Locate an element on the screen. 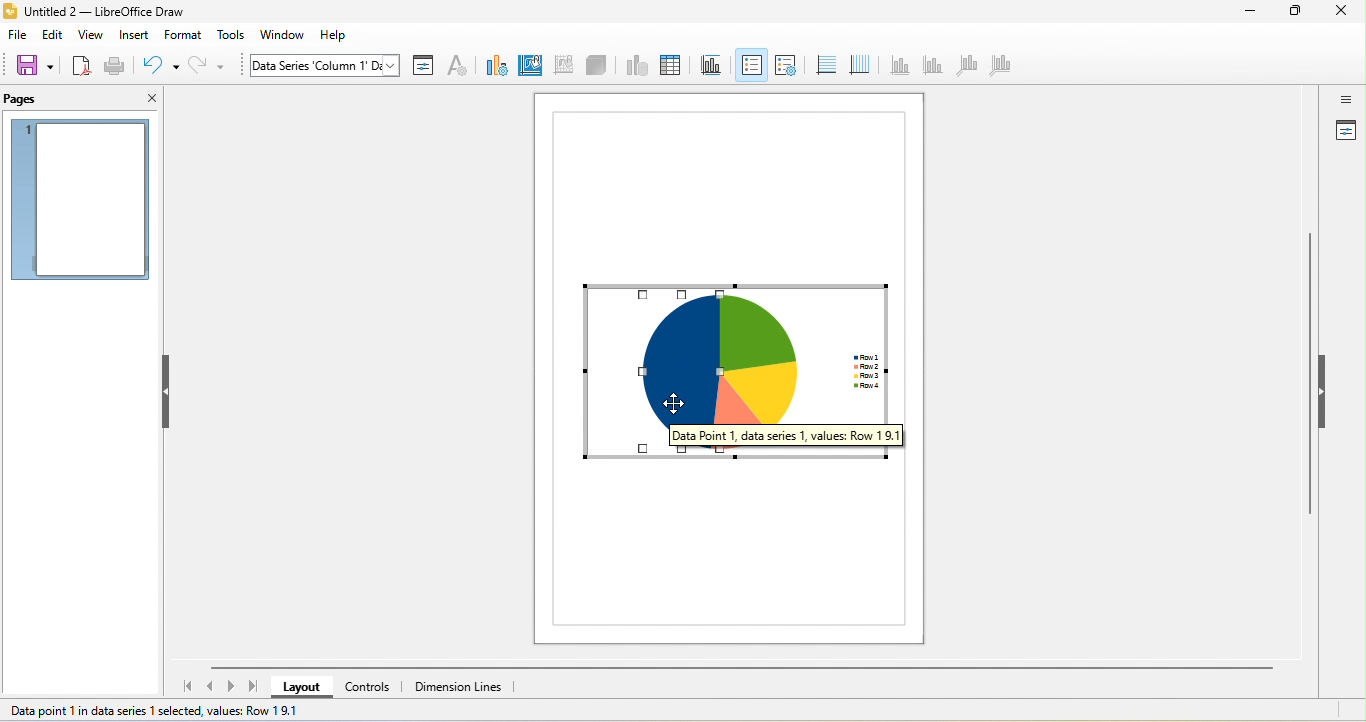 Image resolution: width=1366 pixels, height=722 pixels. no preview is located at coordinates (81, 201).